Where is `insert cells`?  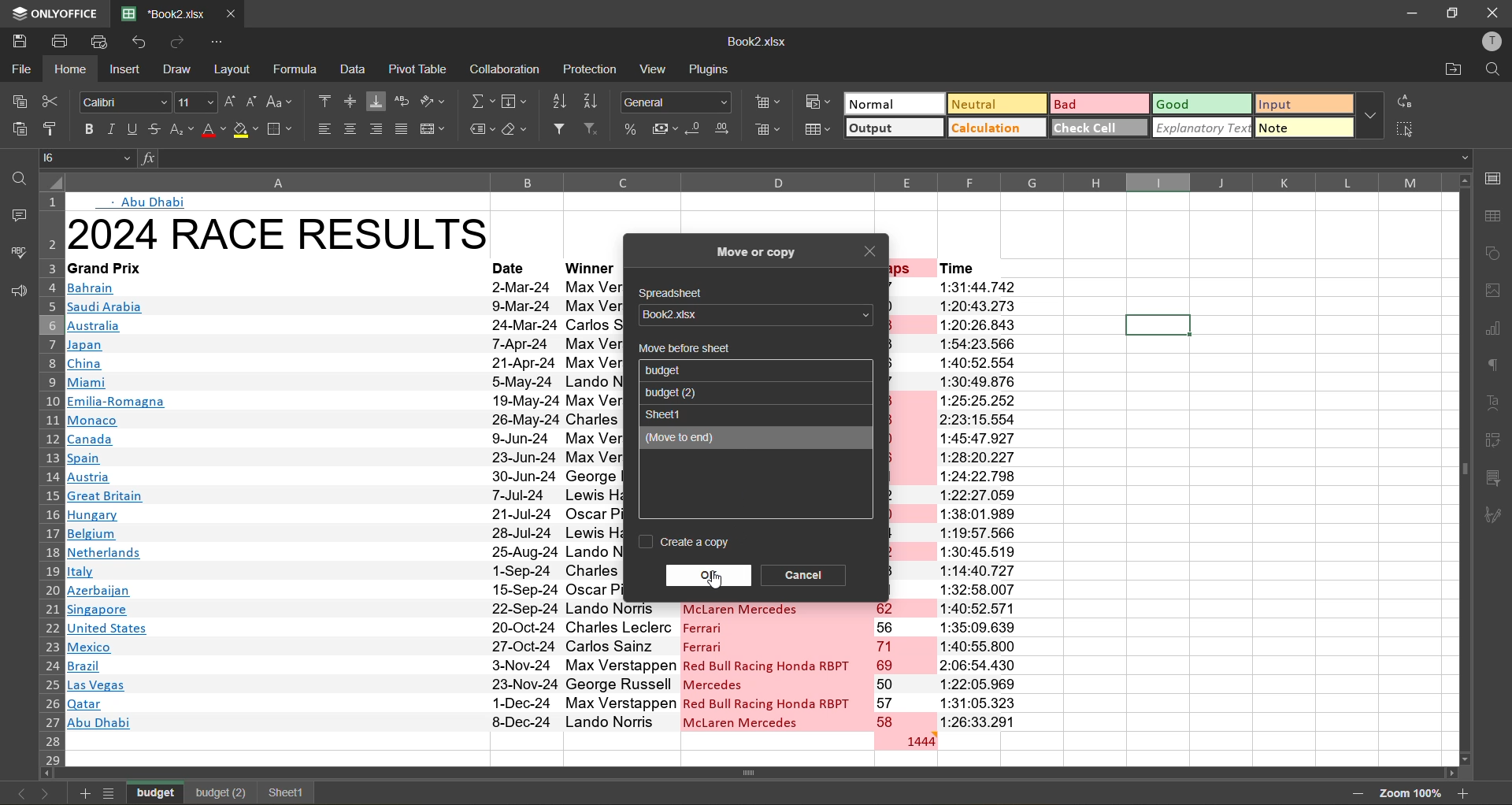
insert cells is located at coordinates (770, 106).